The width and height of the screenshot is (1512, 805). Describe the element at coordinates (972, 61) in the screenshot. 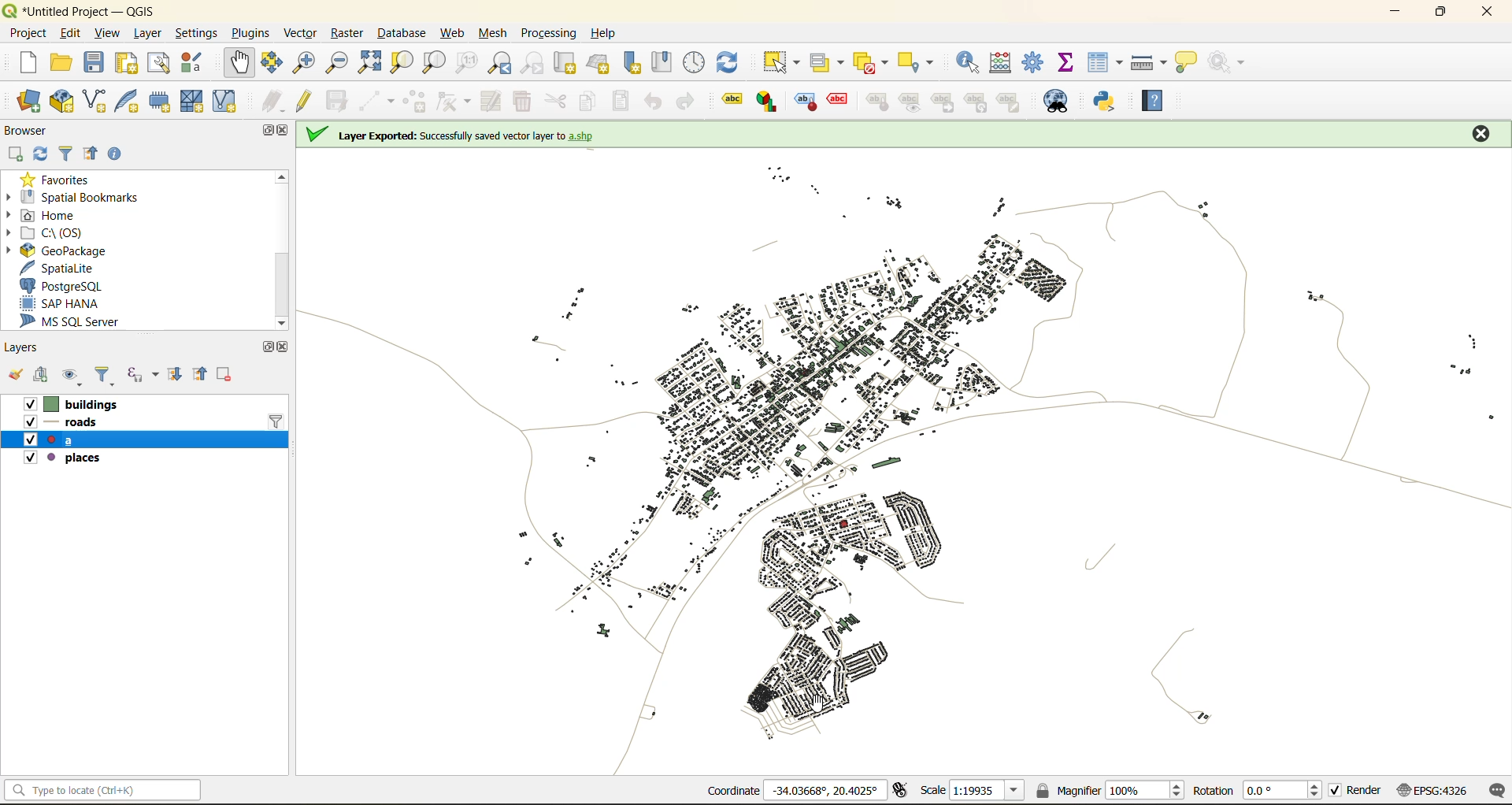

I see `identify features` at that location.